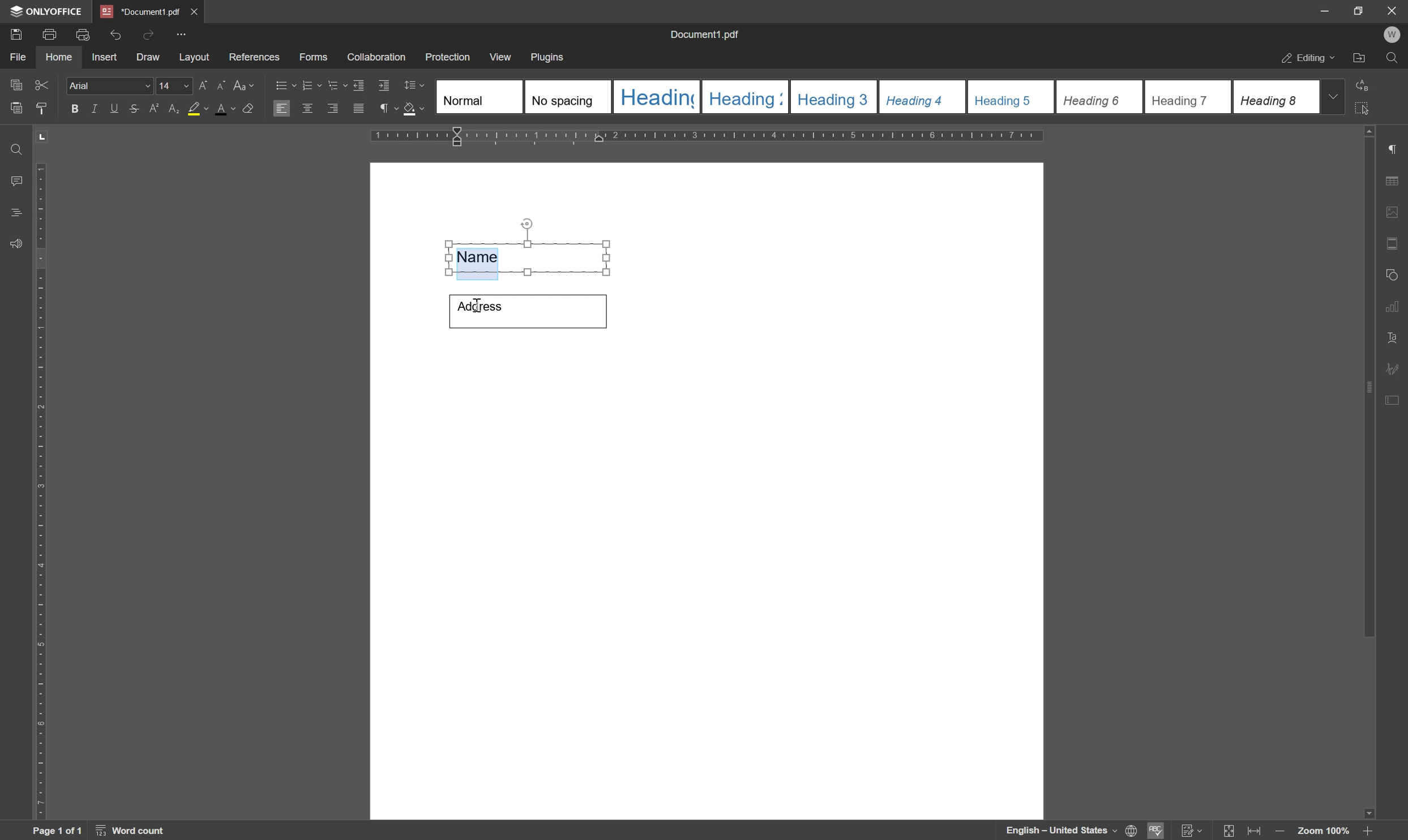 The image size is (1408, 840). What do you see at coordinates (71, 109) in the screenshot?
I see `bold` at bounding box center [71, 109].